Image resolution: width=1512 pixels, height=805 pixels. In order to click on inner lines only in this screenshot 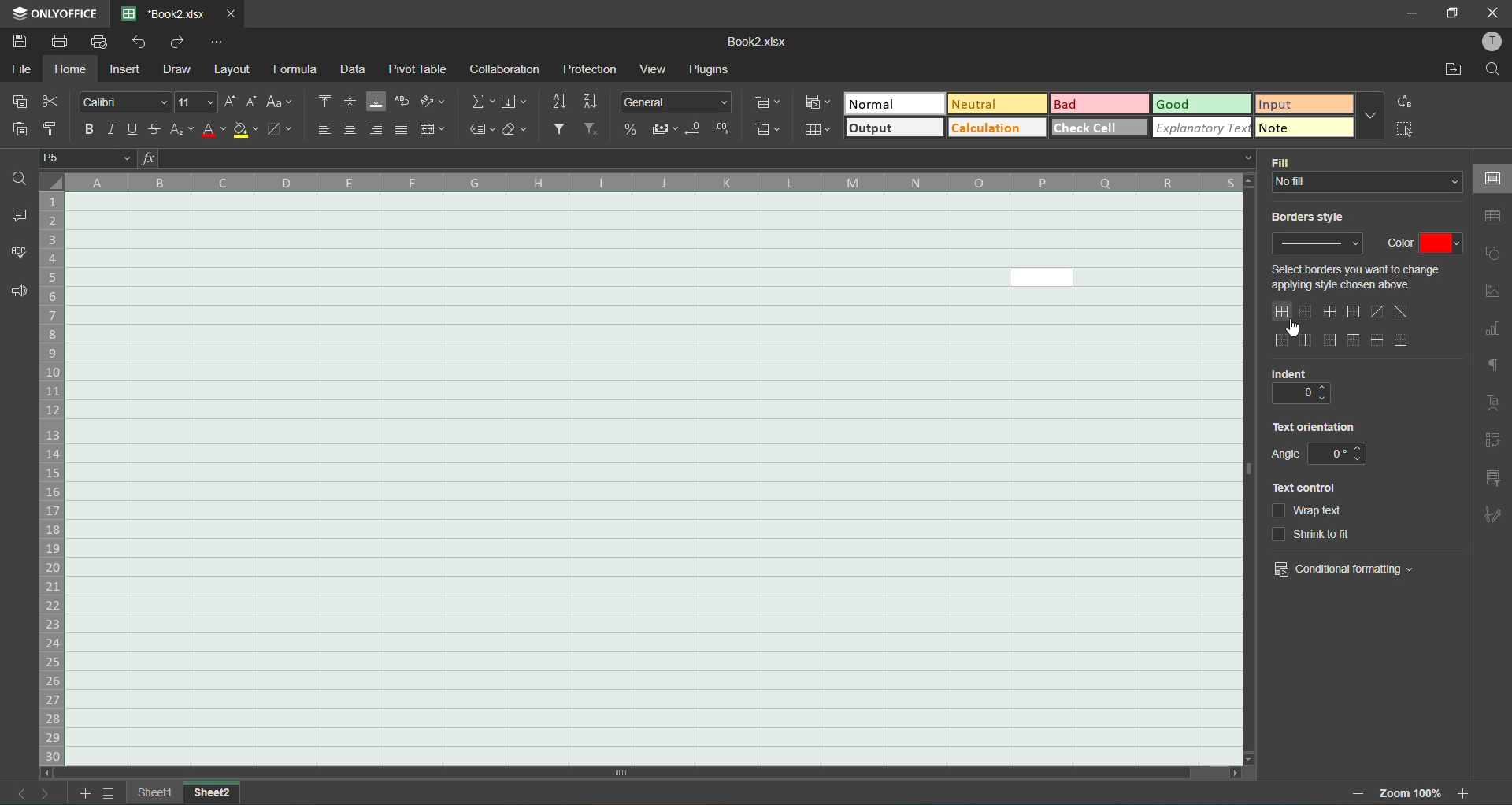, I will do `click(1329, 312)`.